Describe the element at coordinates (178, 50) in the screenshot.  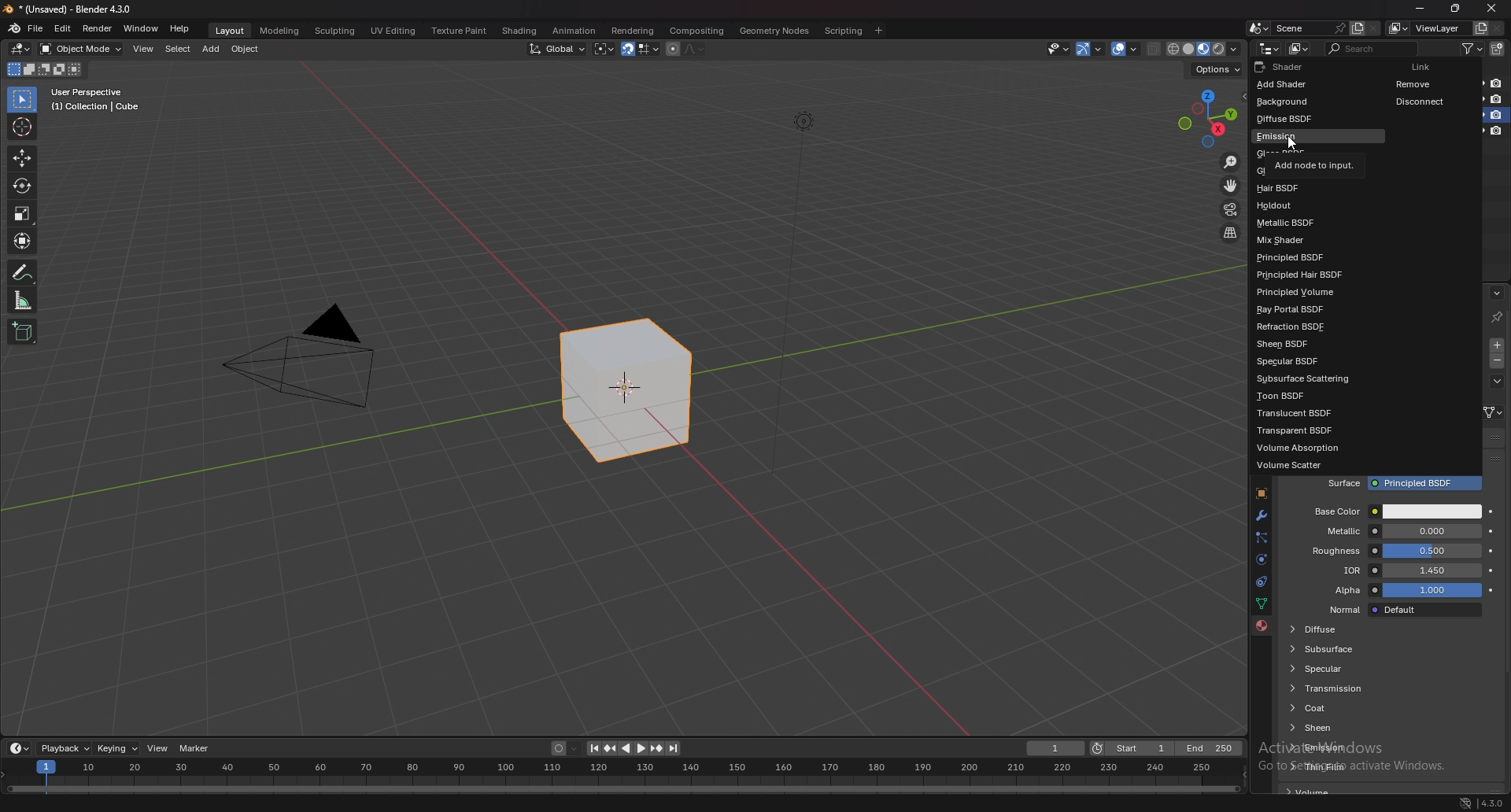
I see `select` at that location.